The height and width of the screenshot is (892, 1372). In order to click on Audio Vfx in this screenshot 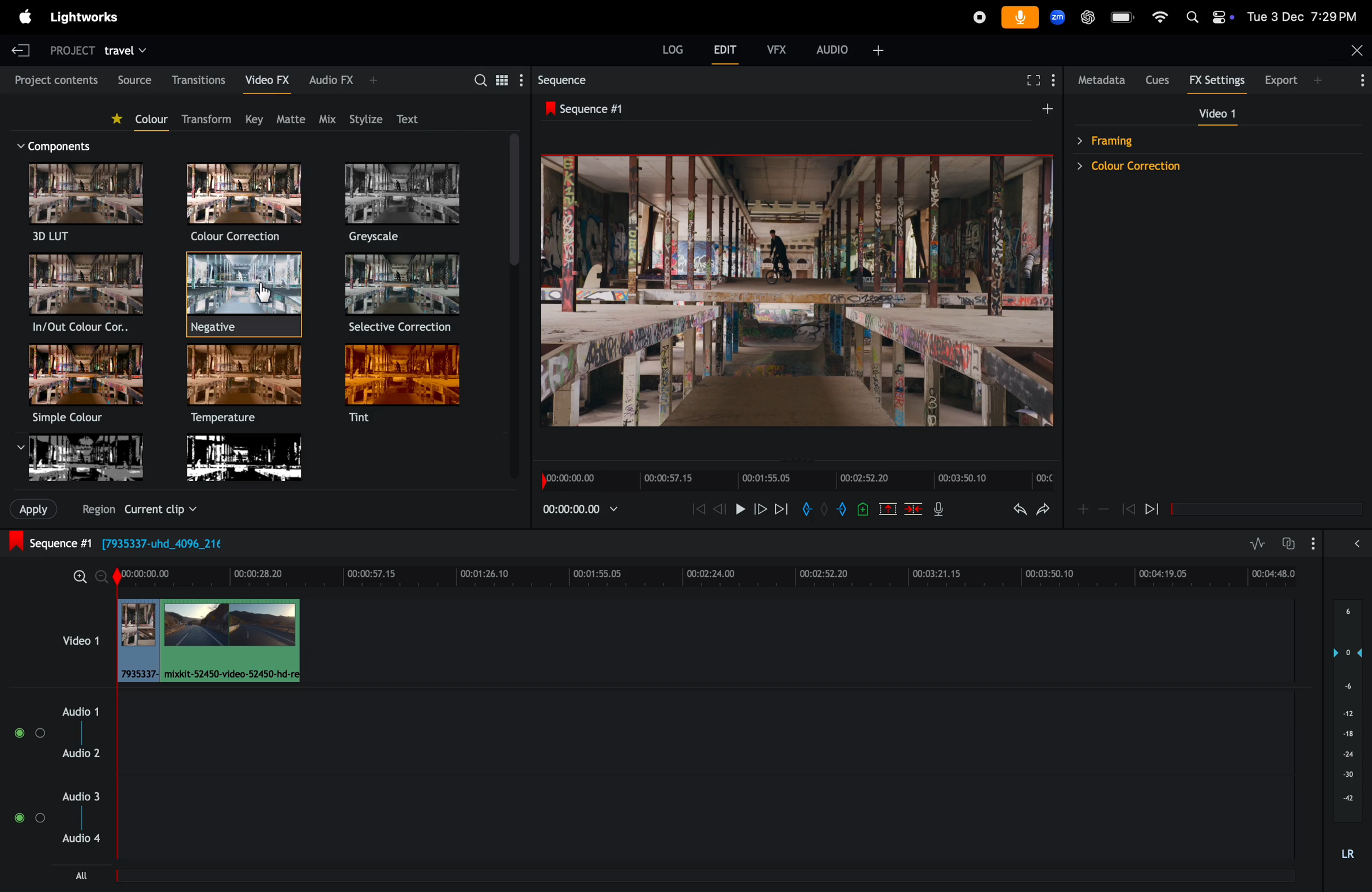, I will do `click(344, 81)`.